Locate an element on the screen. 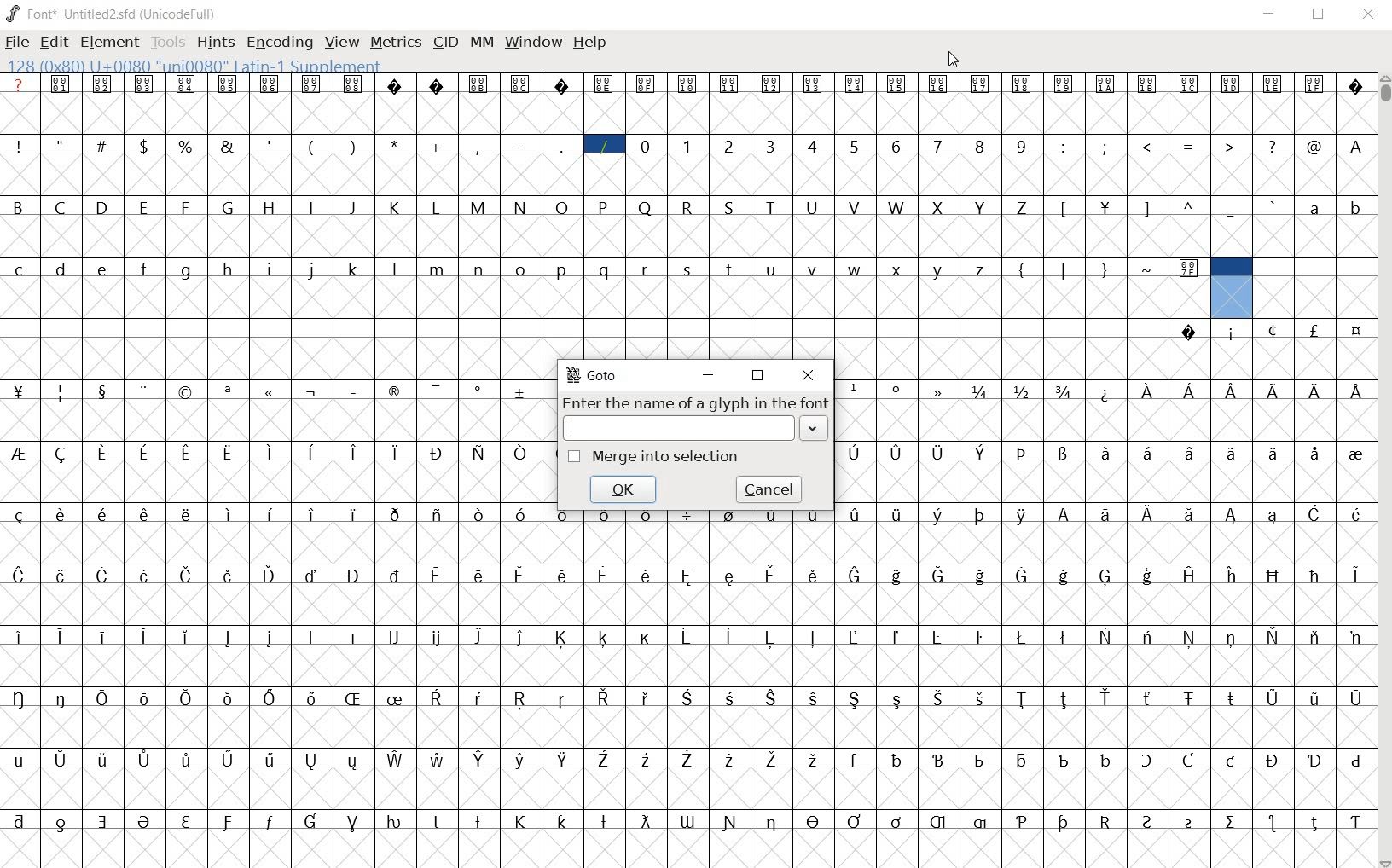 The image size is (1392, 868). Symbol is located at coordinates (1314, 512).